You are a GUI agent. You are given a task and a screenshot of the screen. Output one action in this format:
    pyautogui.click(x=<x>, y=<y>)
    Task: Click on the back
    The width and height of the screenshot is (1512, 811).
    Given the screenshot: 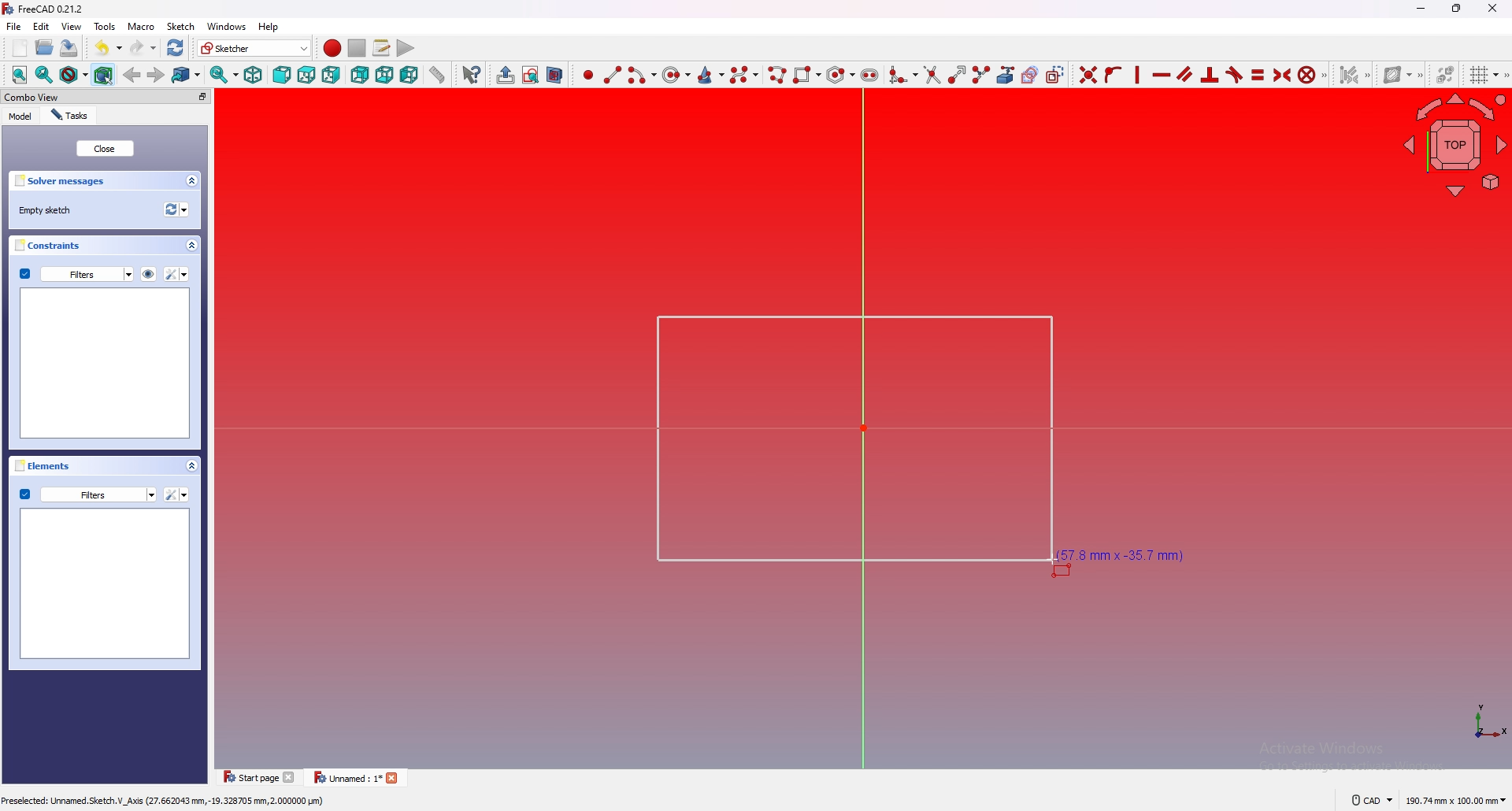 What is the action you would take?
    pyautogui.click(x=132, y=74)
    